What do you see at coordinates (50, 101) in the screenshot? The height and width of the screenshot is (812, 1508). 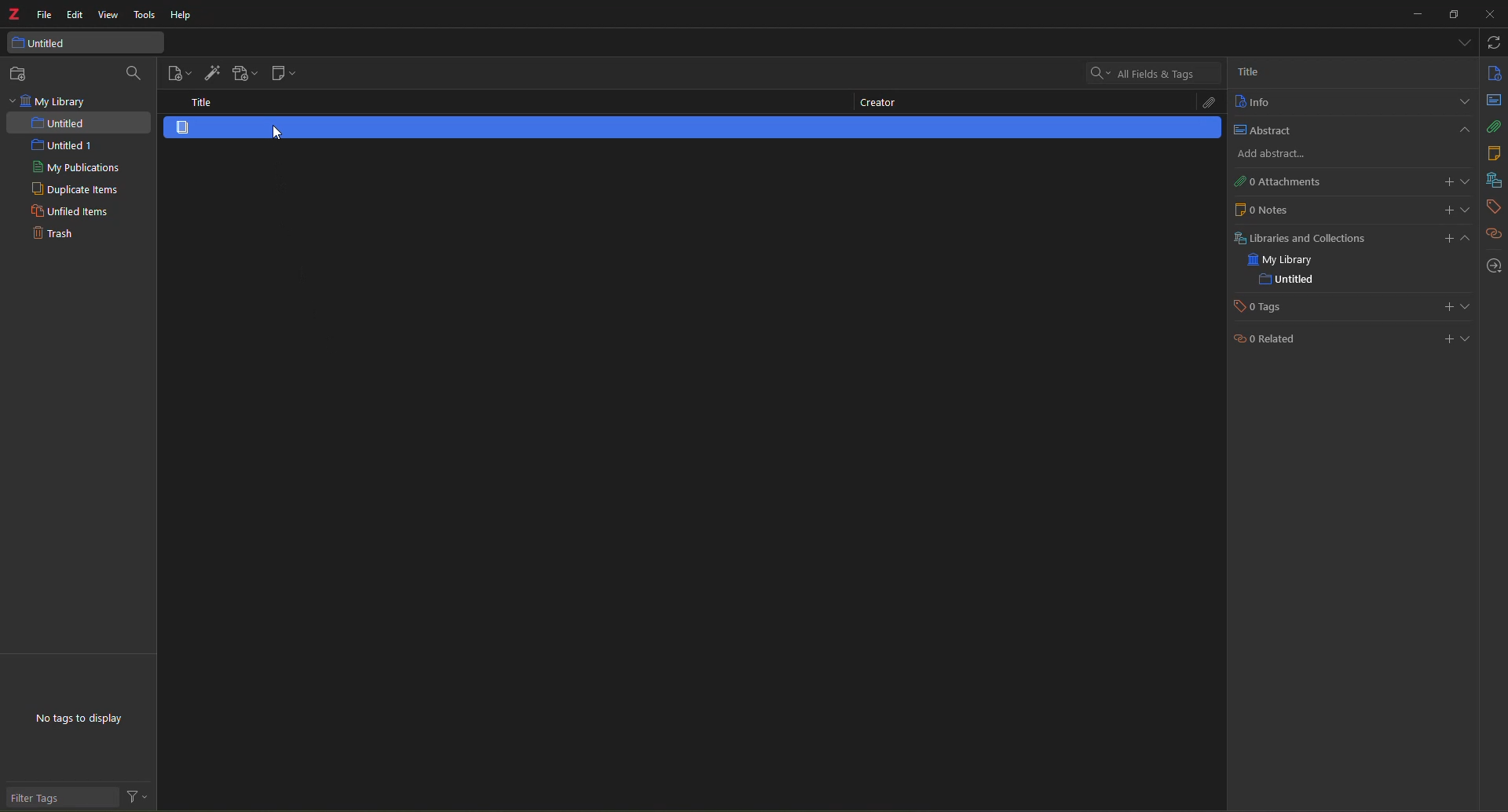 I see `my library` at bounding box center [50, 101].